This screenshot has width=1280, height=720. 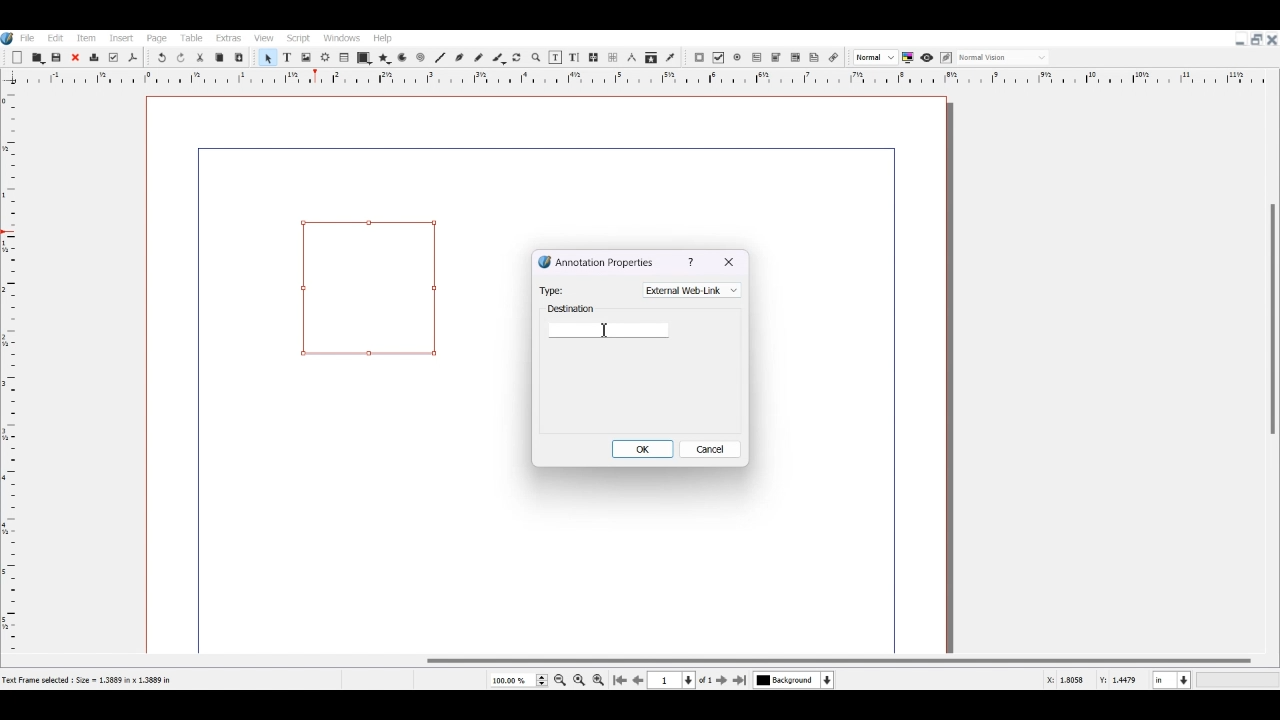 I want to click on Bezier curve, so click(x=459, y=57).